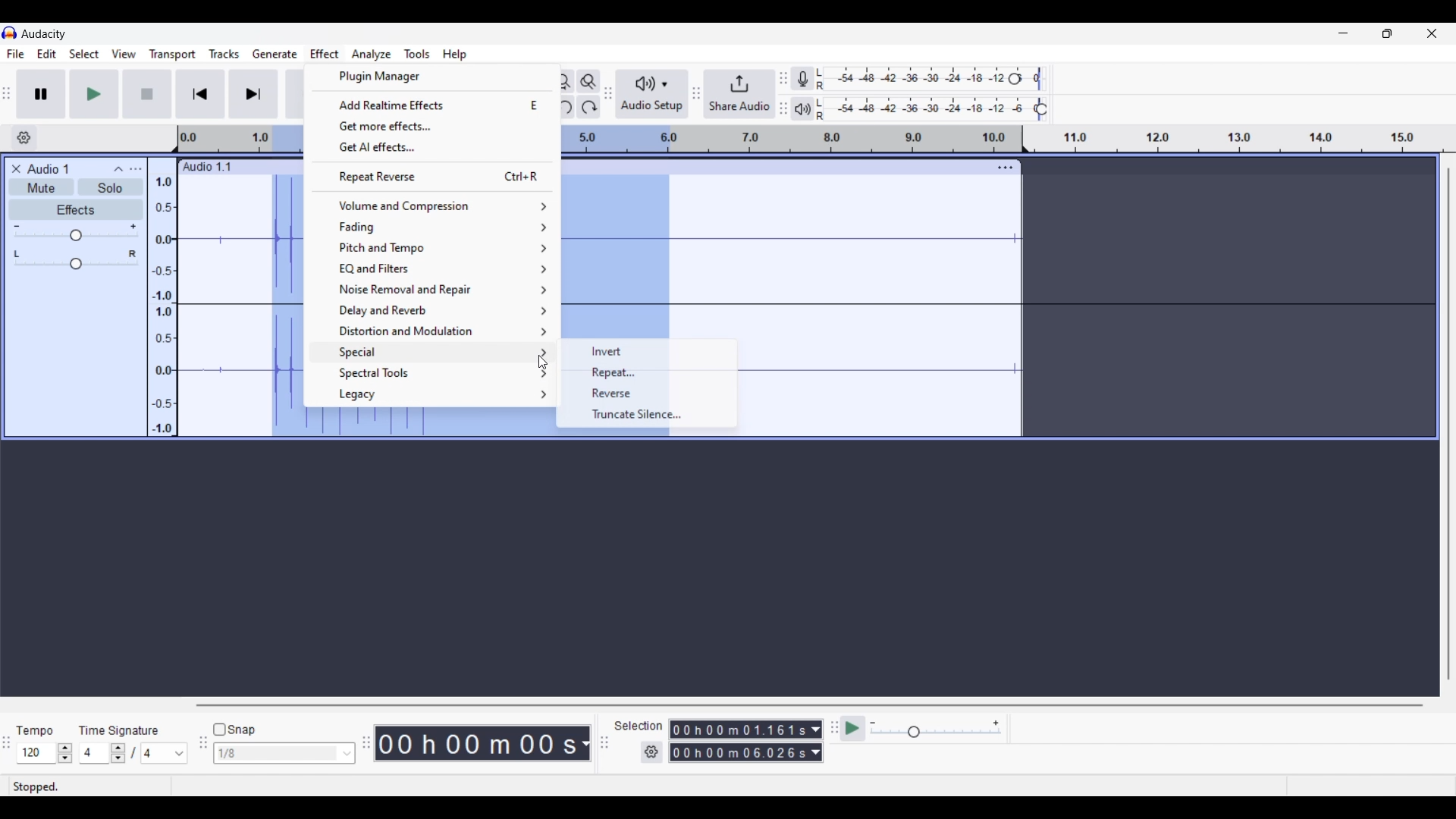 This screenshot has width=1456, height=819. What do you see at coordinates (118, 753) in the screenshot?
I see `Increase/Decrease time signature` at bounding box center [118, 753].